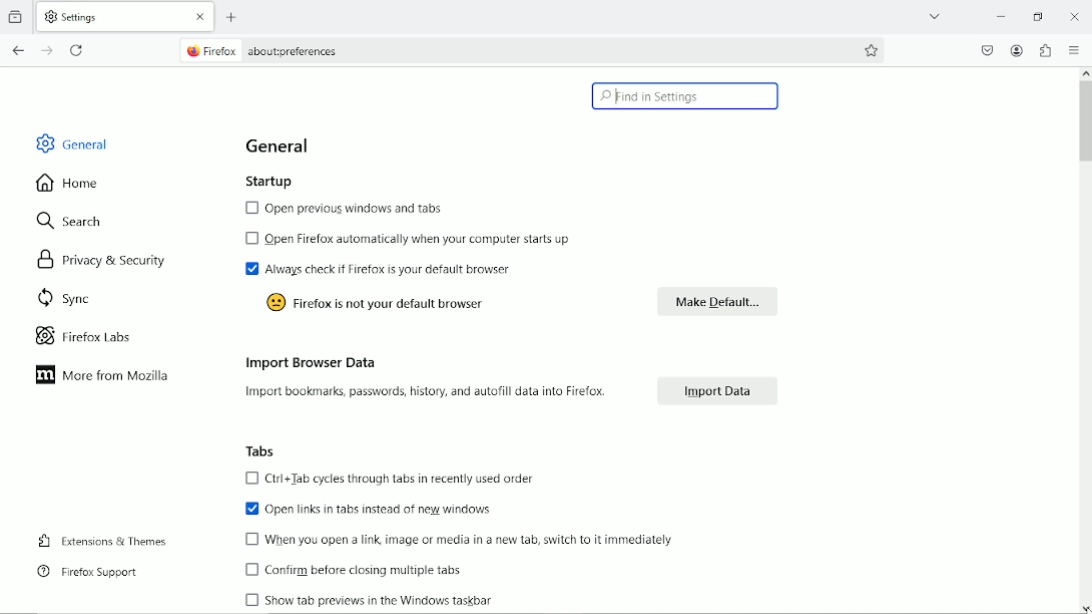 The width and height of the screenshot is (1092, 614). Describe the element at coordinates (92, 335) in the screenshot. I see `Firefox labs` at that location.